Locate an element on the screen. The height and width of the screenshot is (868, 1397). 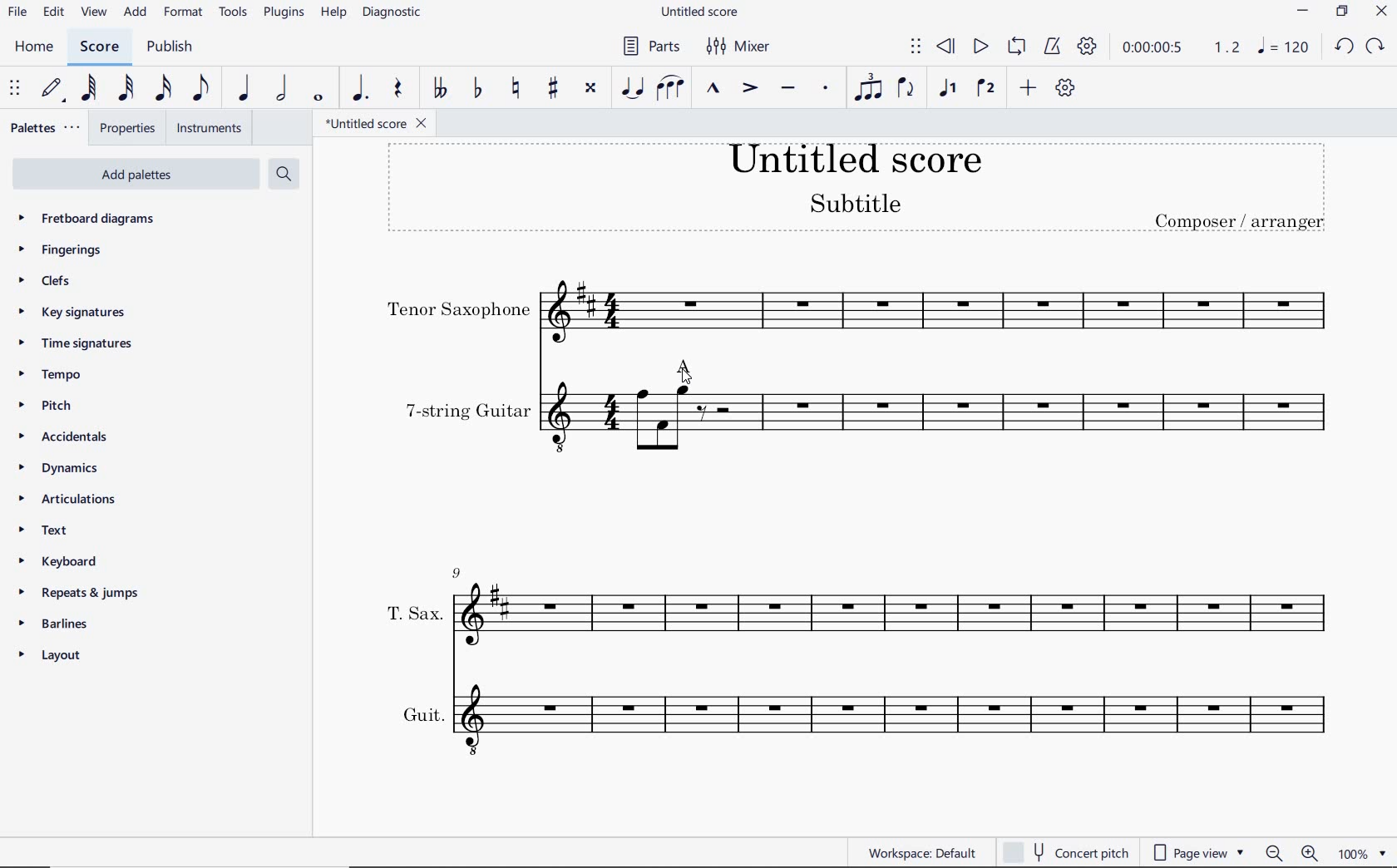
MIXER is located at coordinates (740, 47).